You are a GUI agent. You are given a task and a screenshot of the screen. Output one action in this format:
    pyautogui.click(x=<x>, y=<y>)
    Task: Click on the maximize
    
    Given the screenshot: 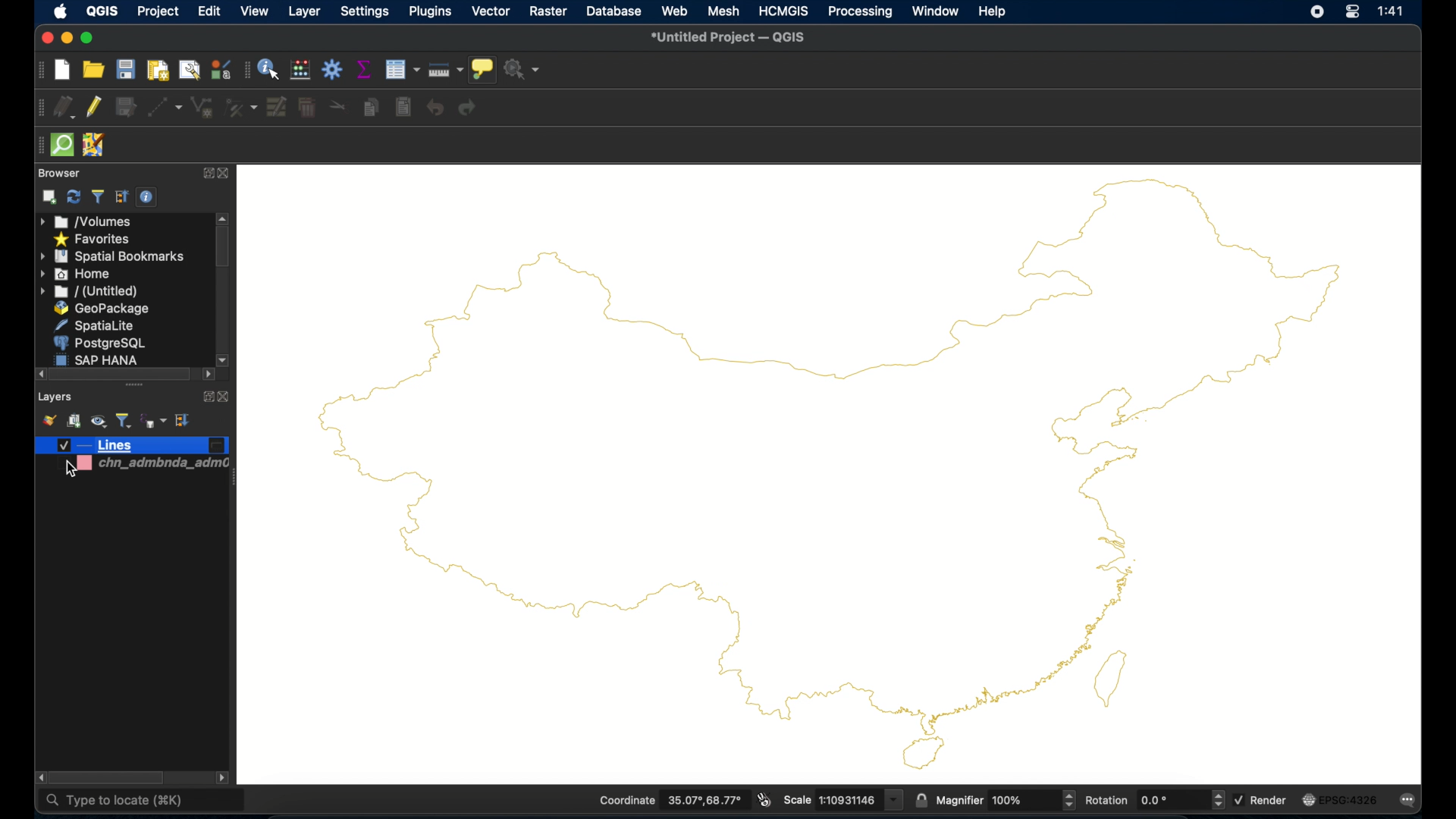 What is the action you would take?
    pyautogui.click(x=89, y=38)
    